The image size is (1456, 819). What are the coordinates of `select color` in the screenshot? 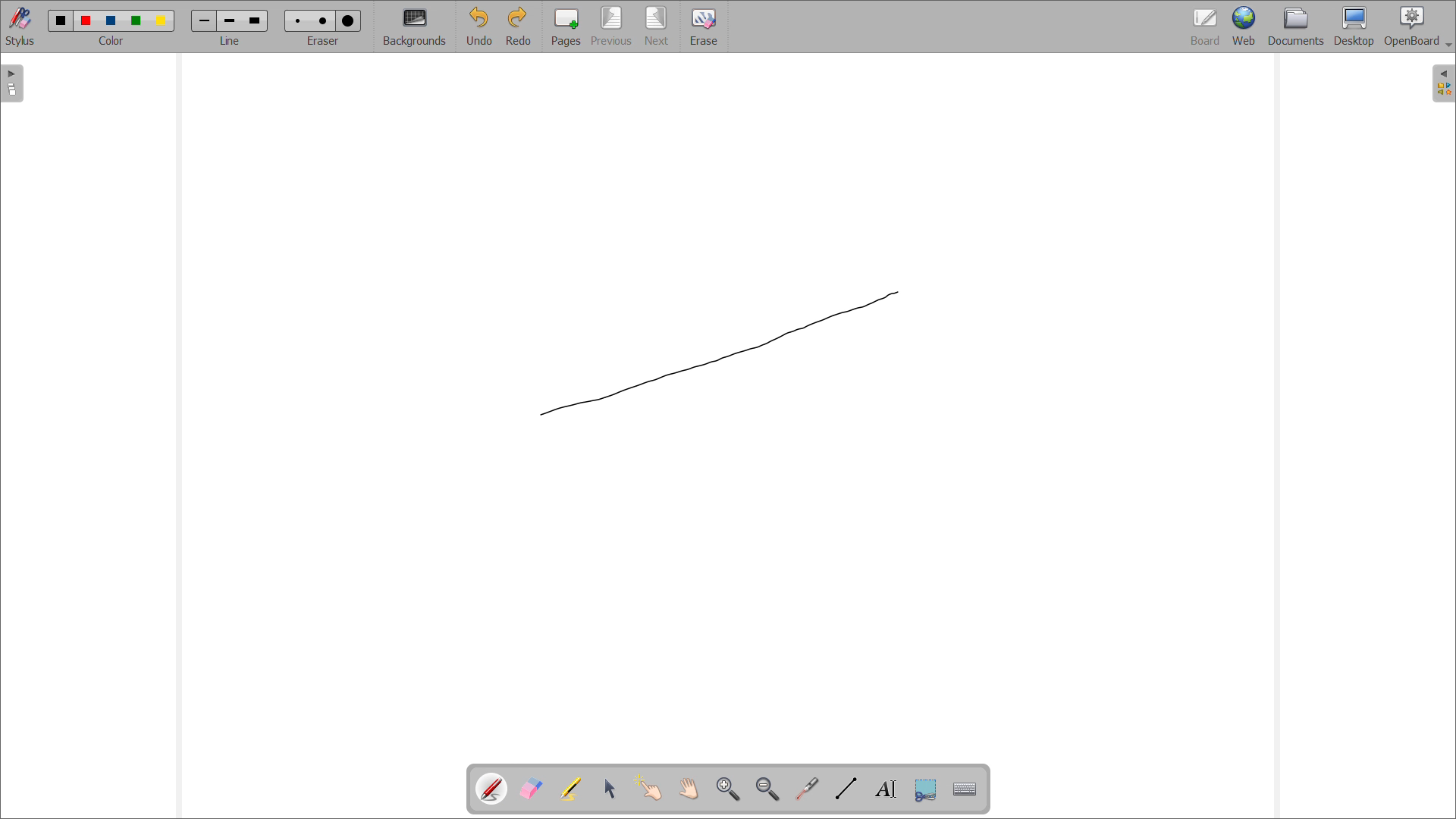 It's located at (110, 41).